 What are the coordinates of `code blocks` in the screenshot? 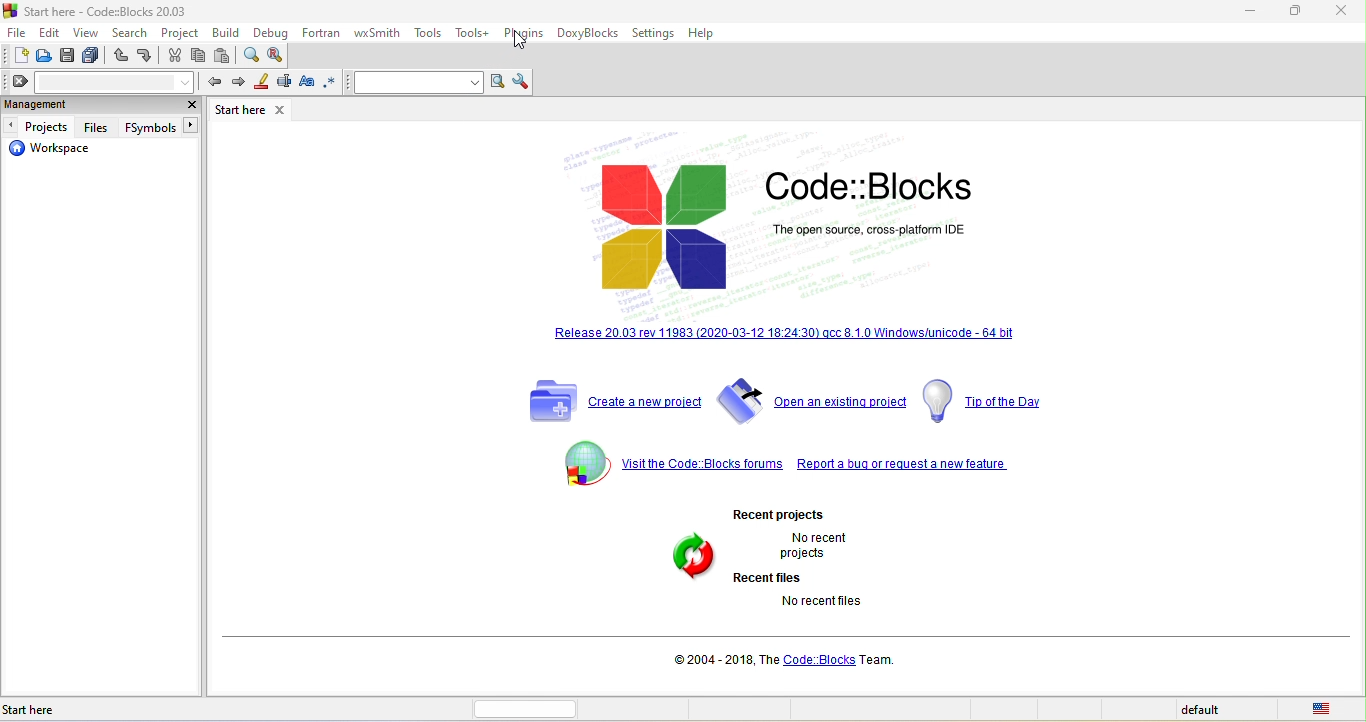 It's located at (783, 217).